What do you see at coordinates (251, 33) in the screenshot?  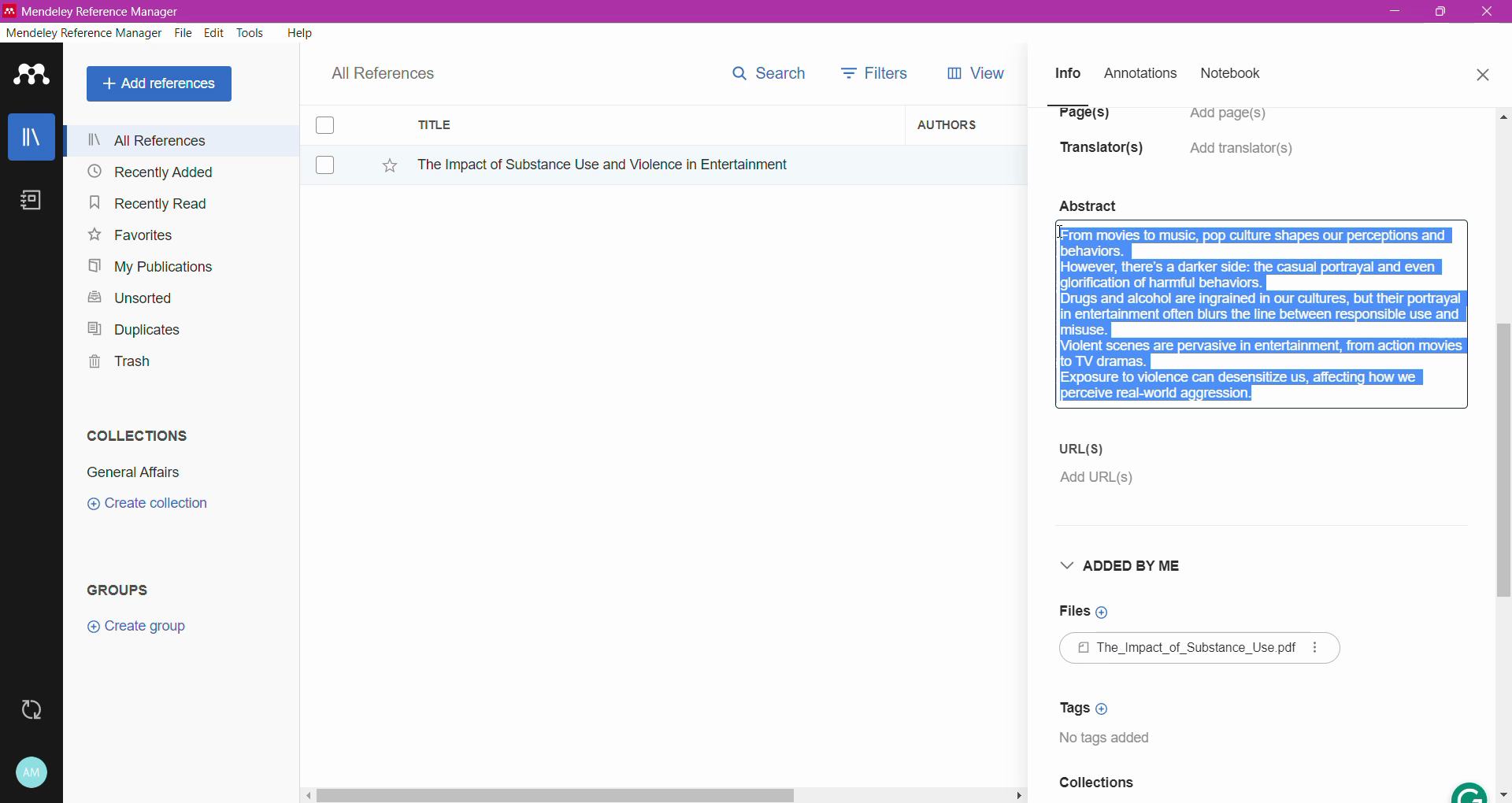 I see `Tools` at bounding box center [251, 33].